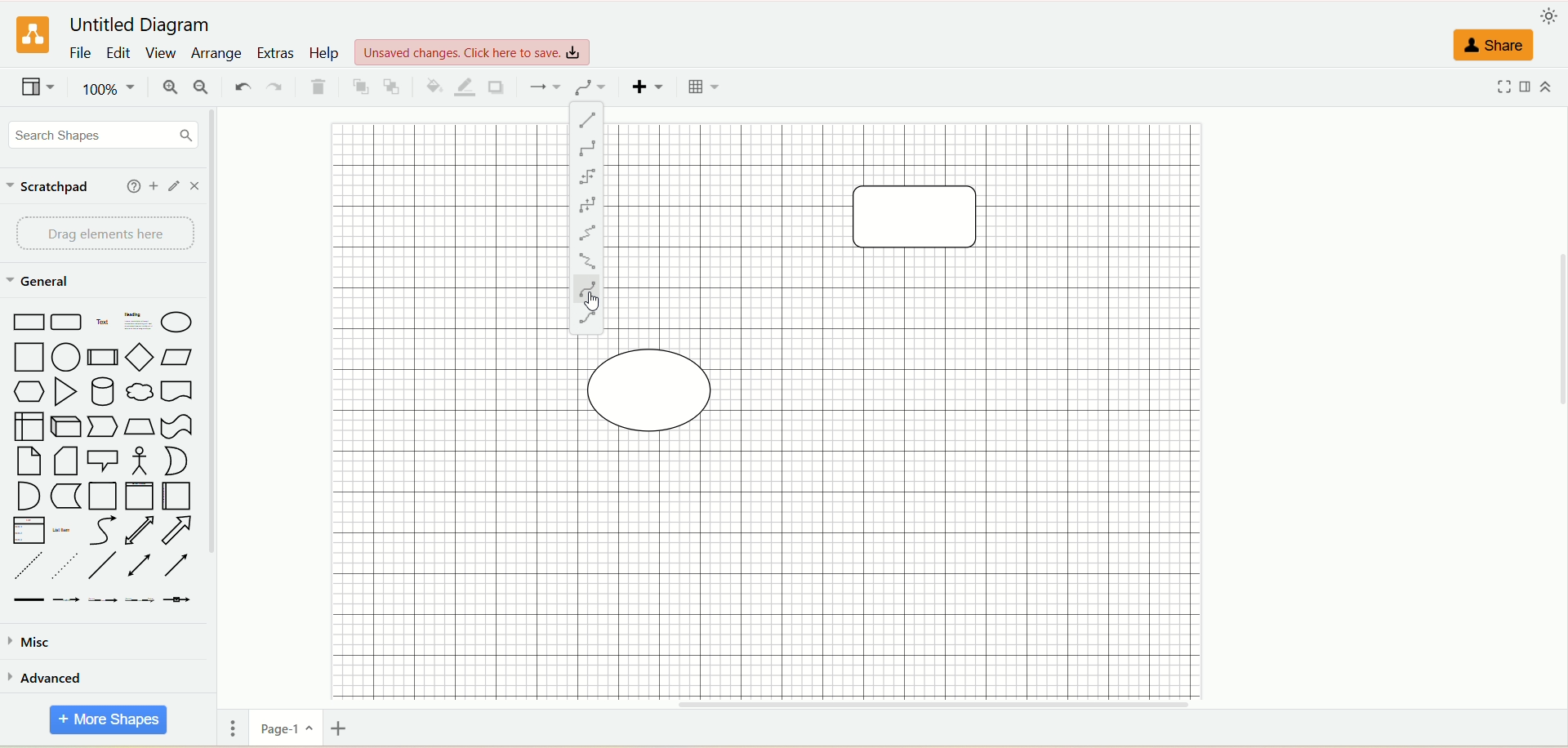  Describe the element at coordinates (587, 260) in the screenshot. I see `isometric` at that location.